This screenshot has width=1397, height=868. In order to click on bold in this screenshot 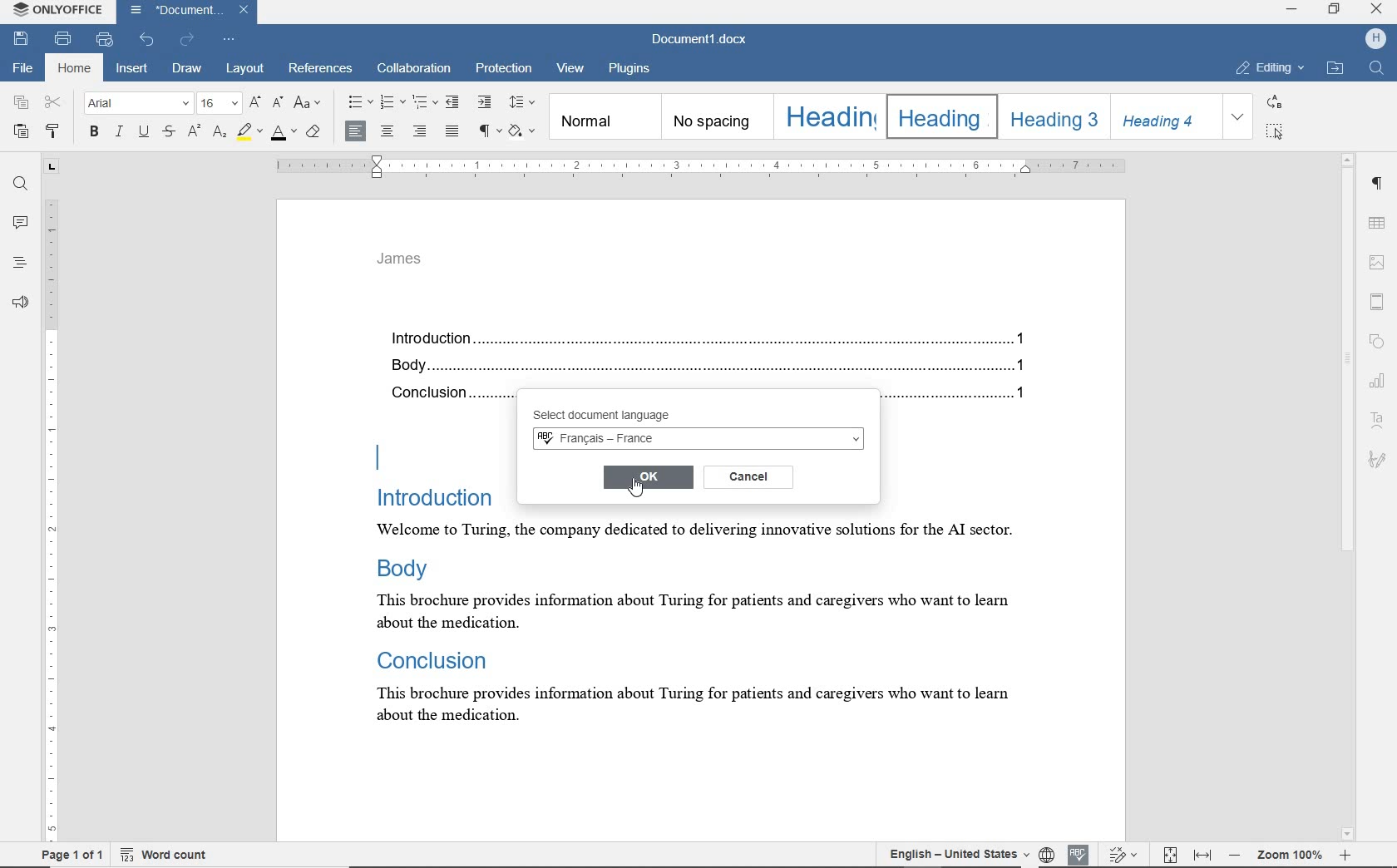, I will do `click(93, 133)`.